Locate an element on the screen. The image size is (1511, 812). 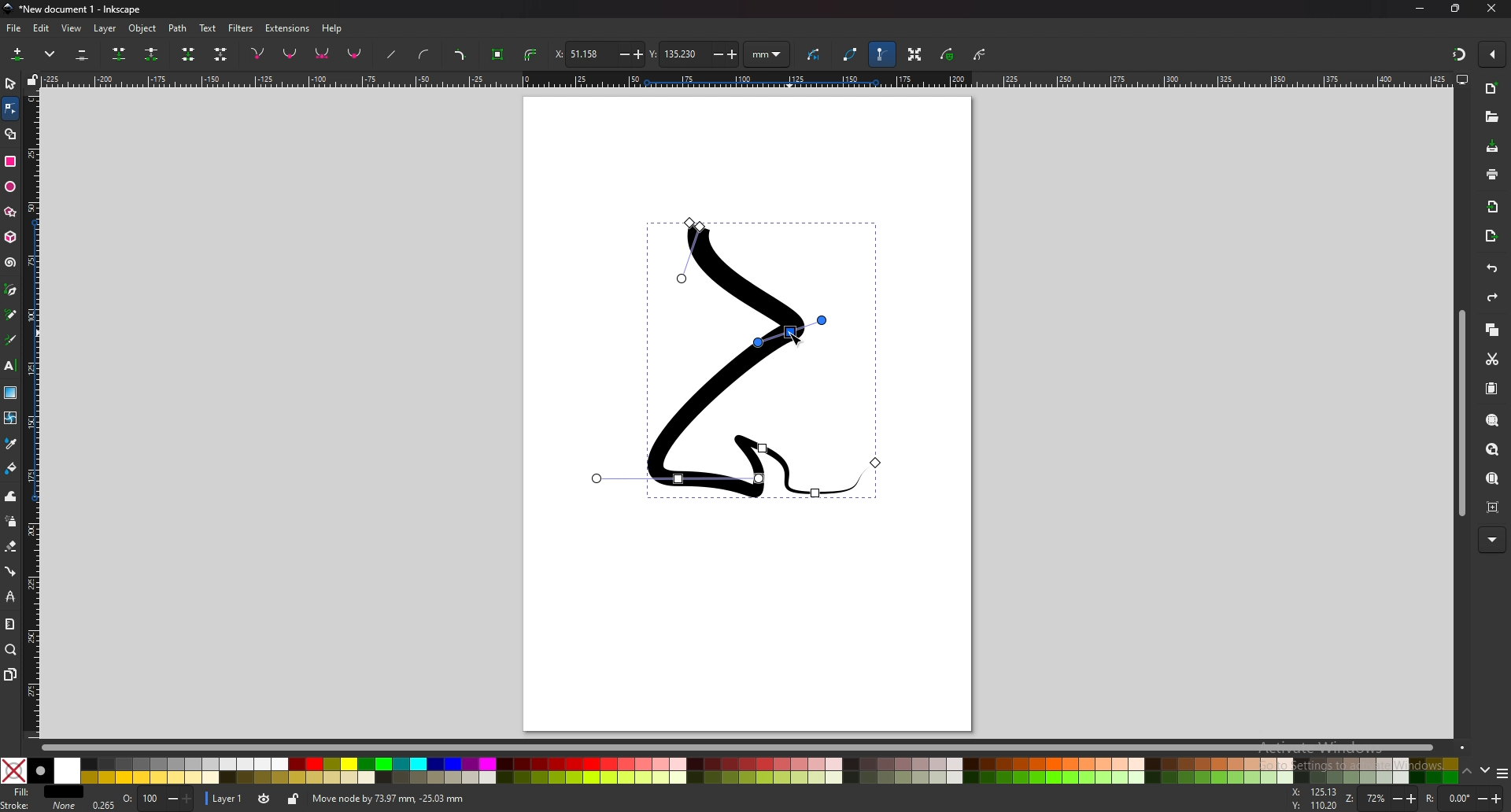
calligraphy is located at coordinates (11, 341).